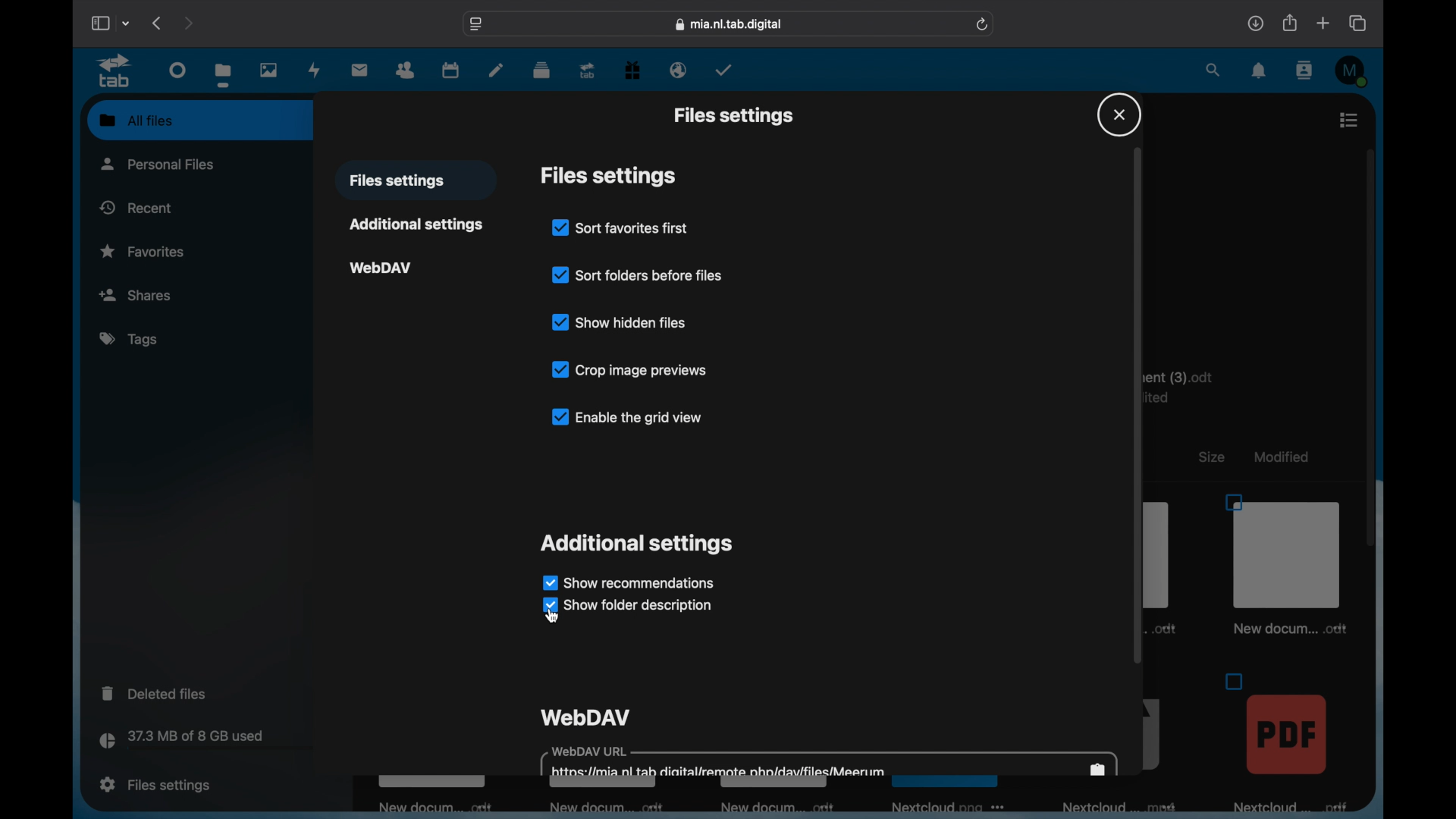 The width and height of the screenshot is (1456, 819). Describe the element at coordinates (1255, 23) in the screenshot. I see `downloads` at that location.